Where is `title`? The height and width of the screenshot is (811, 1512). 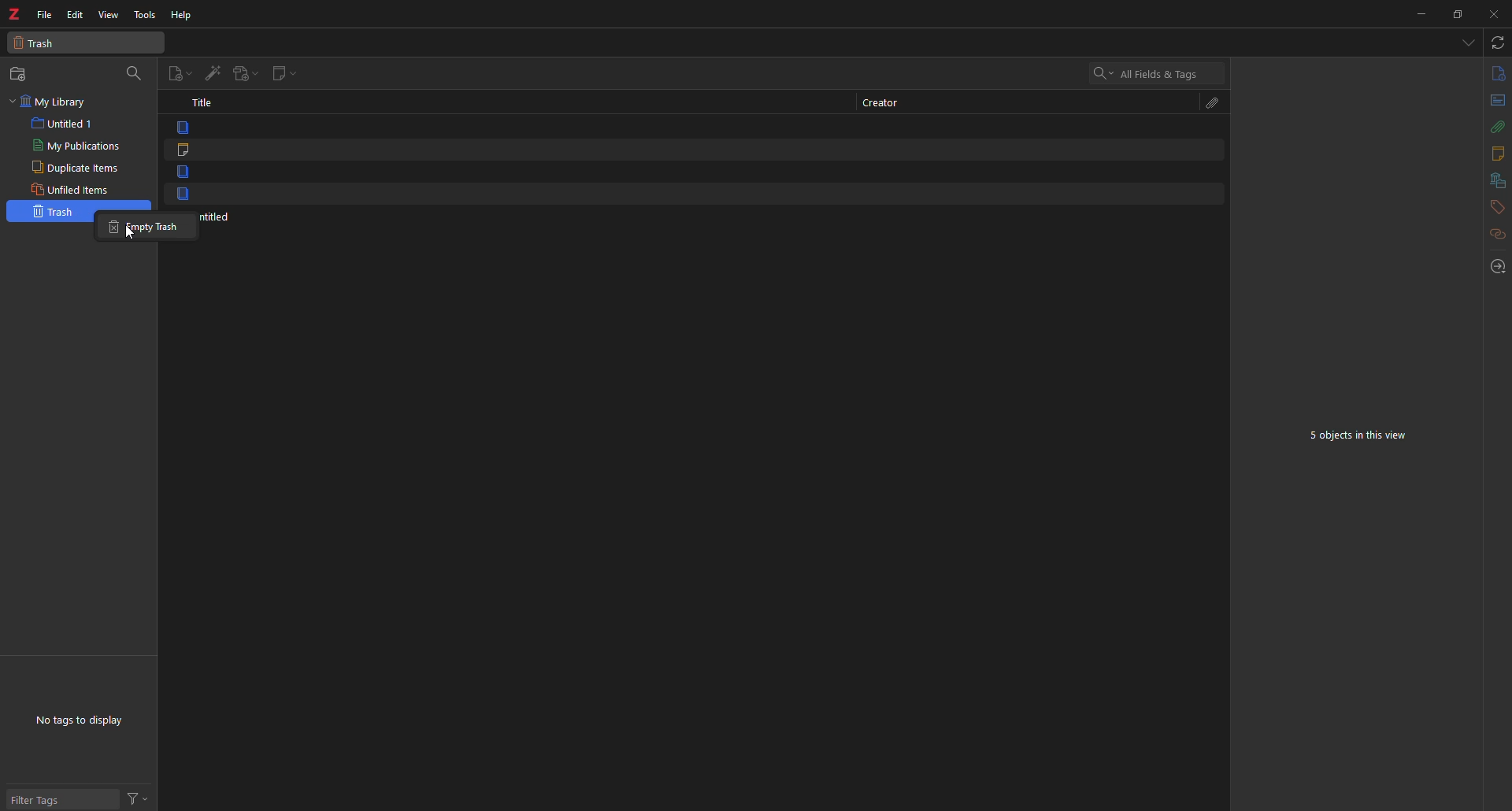
title is located at coordinates (203, 102).